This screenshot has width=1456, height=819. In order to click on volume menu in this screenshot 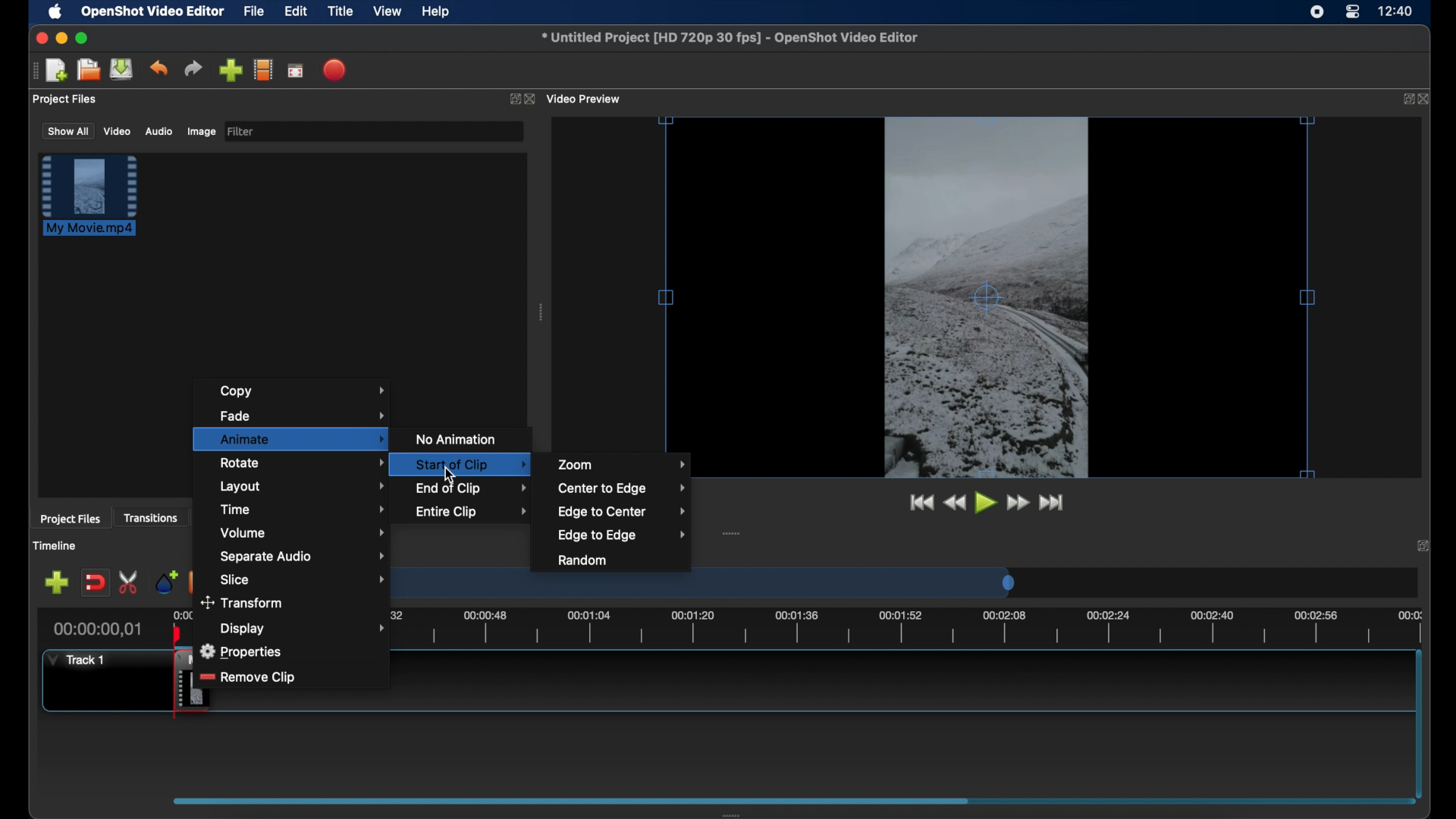, I will do `click(304, 532)`.